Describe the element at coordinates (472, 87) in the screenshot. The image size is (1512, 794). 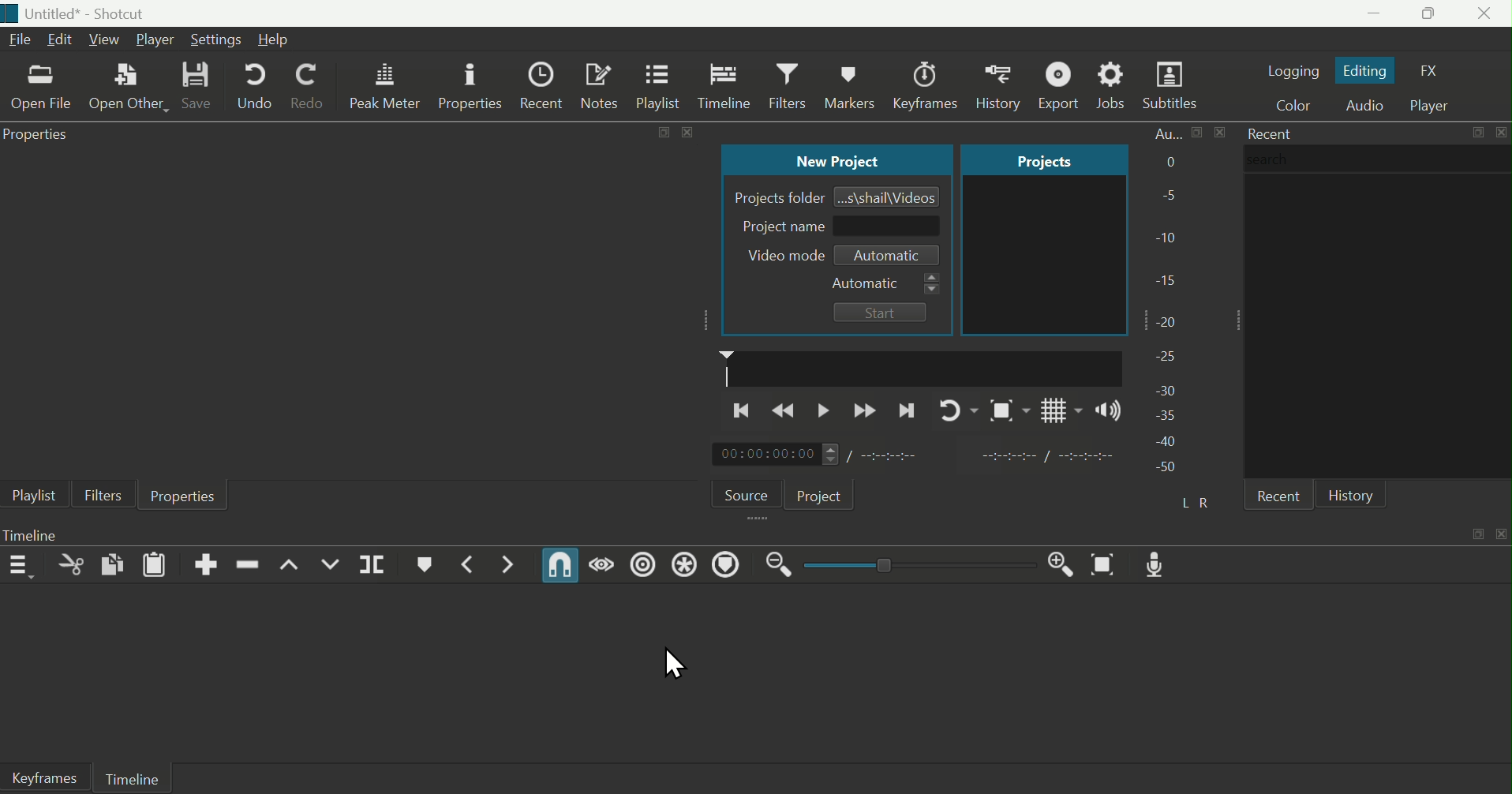
I see `Properties` at that location.